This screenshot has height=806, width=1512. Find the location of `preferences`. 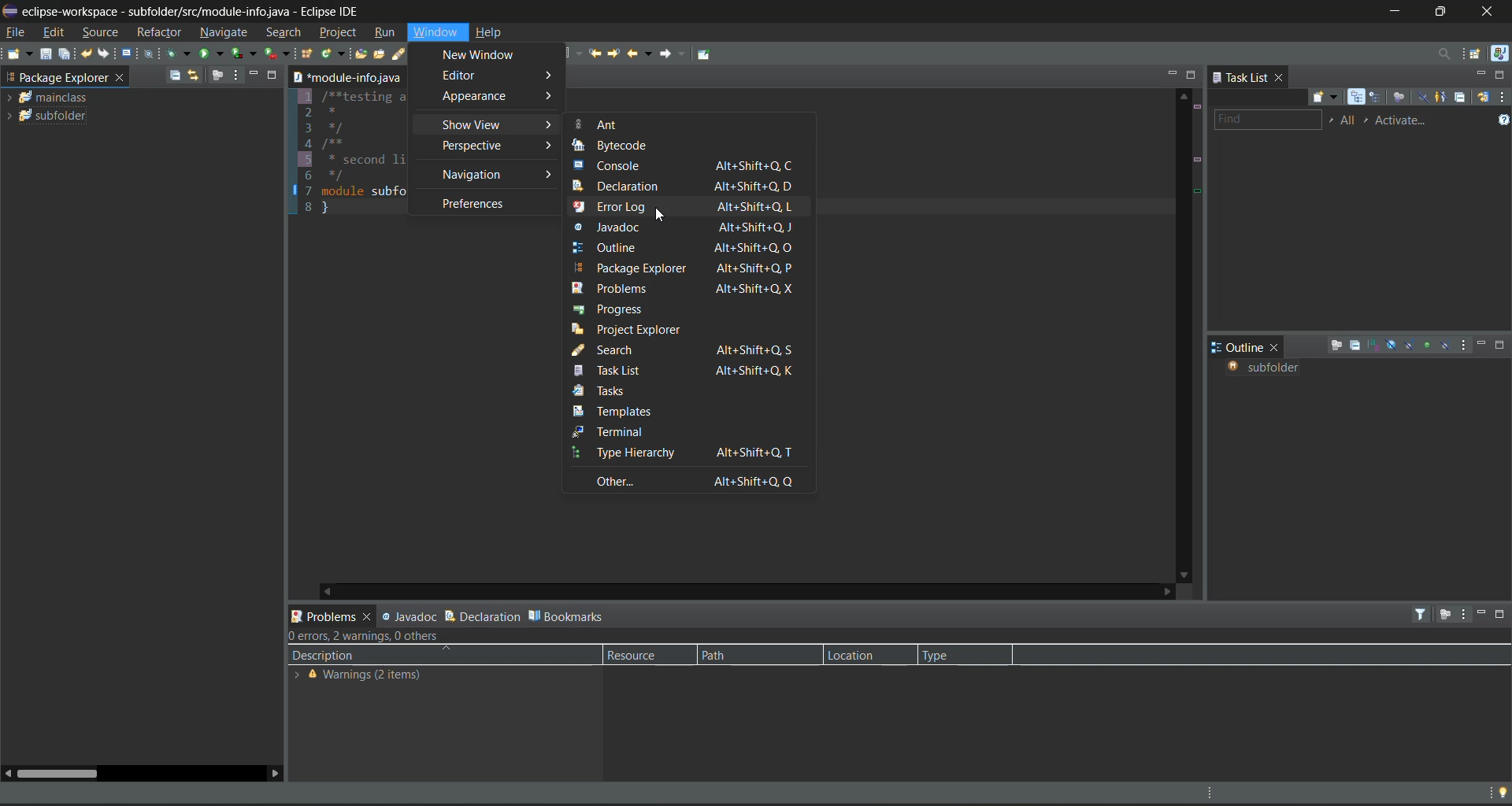

preferences is located at coordinates (476, 204).